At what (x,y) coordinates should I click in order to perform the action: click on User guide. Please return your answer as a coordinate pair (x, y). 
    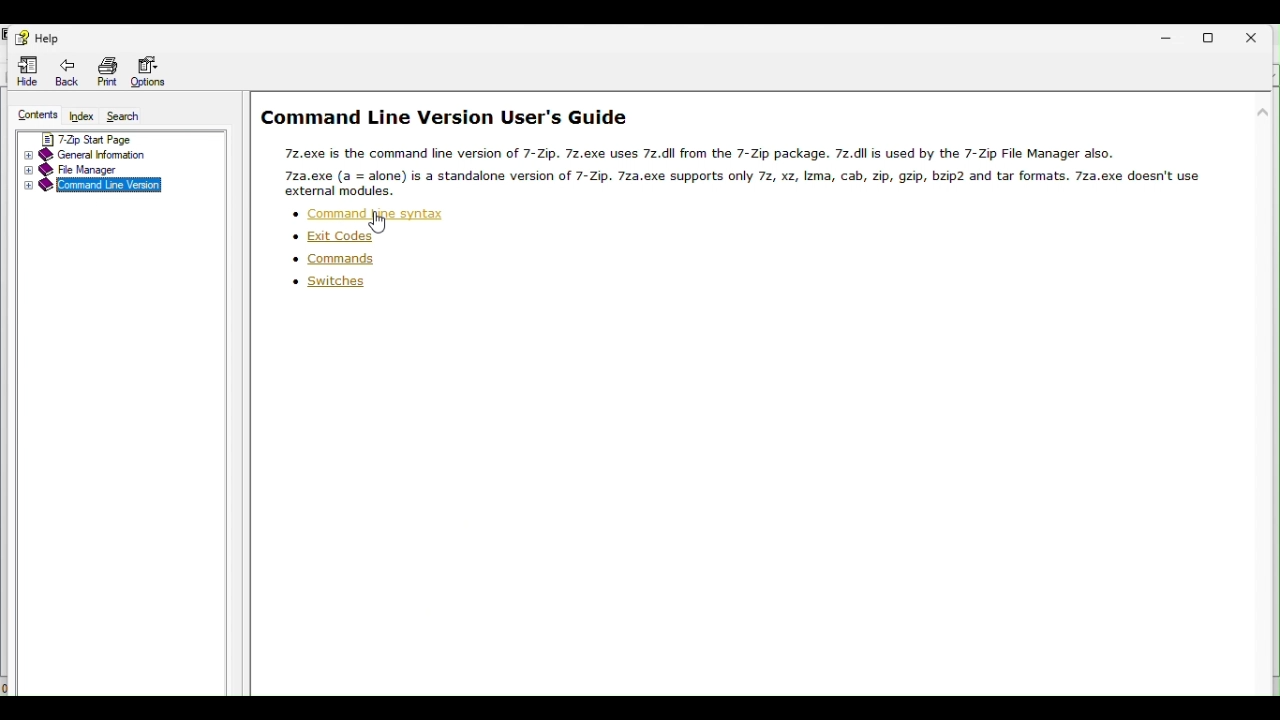
    Looking at the image, I should click on (736, 148).